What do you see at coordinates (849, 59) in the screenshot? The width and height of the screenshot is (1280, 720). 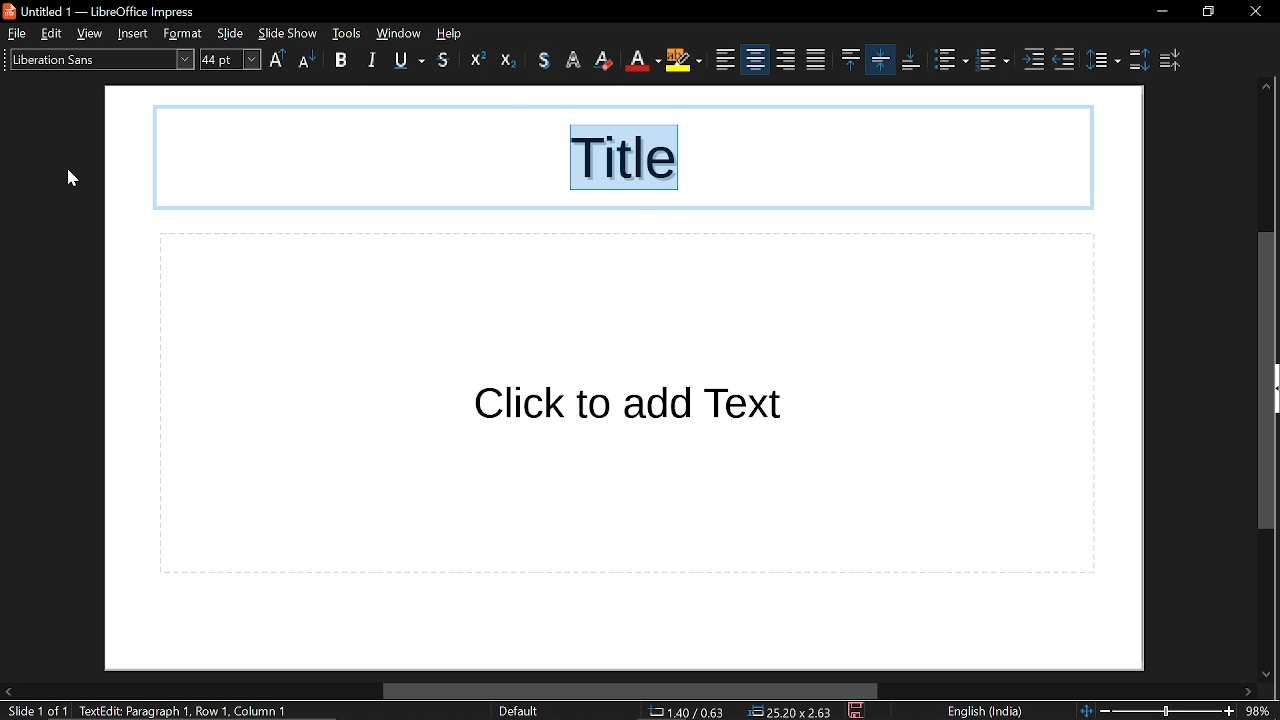 I see `center vertically` at bounding box center [849, 59].